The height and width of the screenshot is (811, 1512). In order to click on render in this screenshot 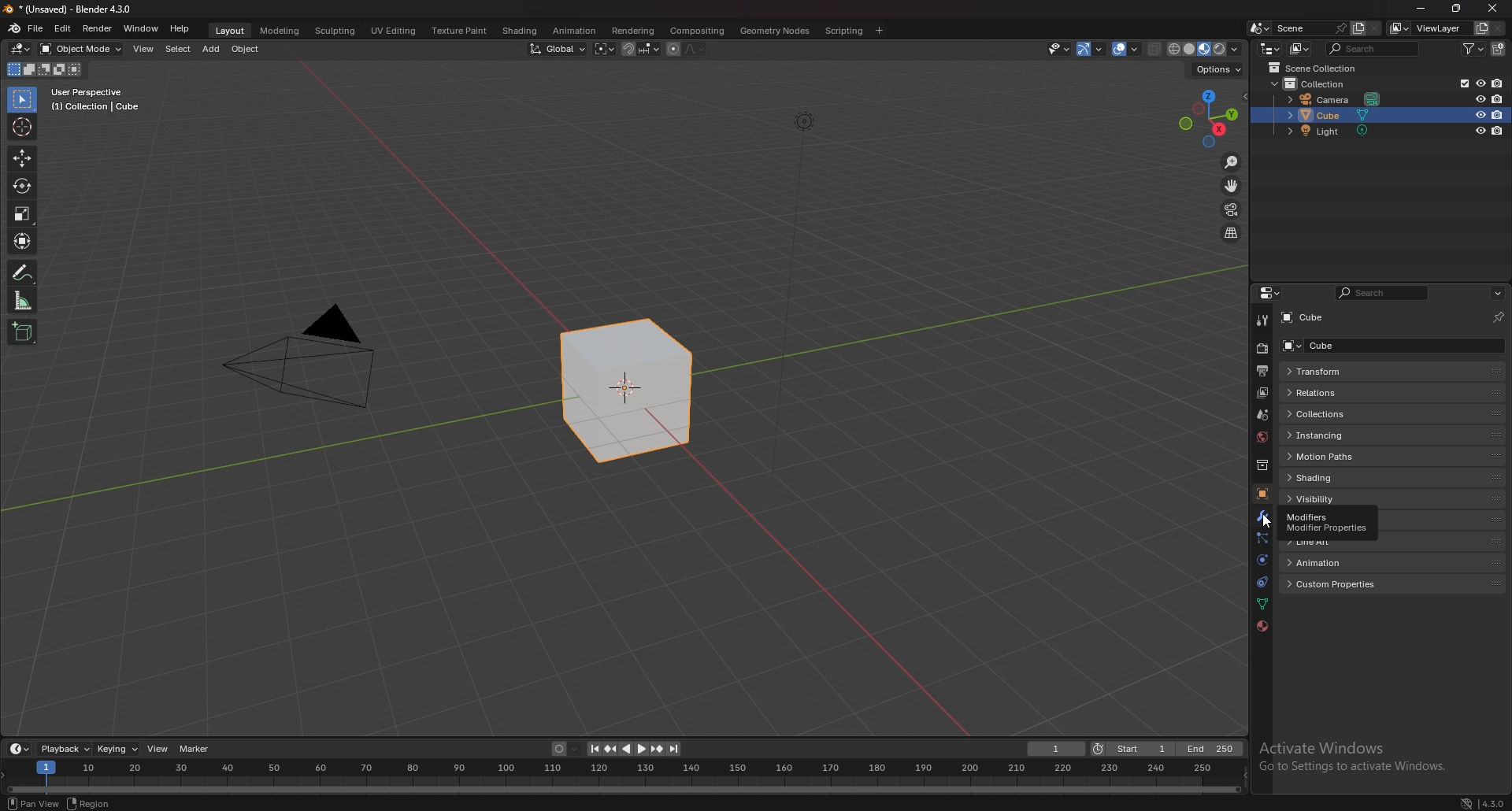, I will do `click(1260, 349)`.